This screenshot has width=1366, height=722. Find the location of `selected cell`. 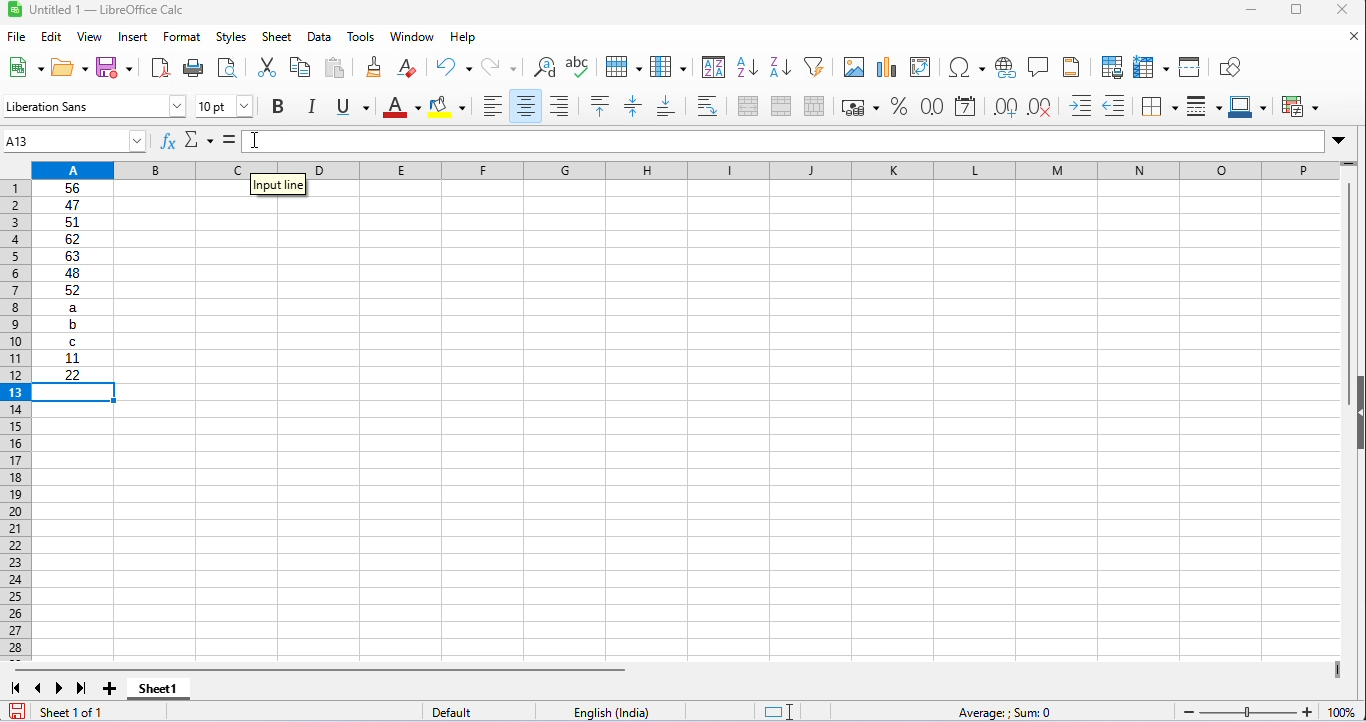

selected cell is located at coordinates (74, 392).